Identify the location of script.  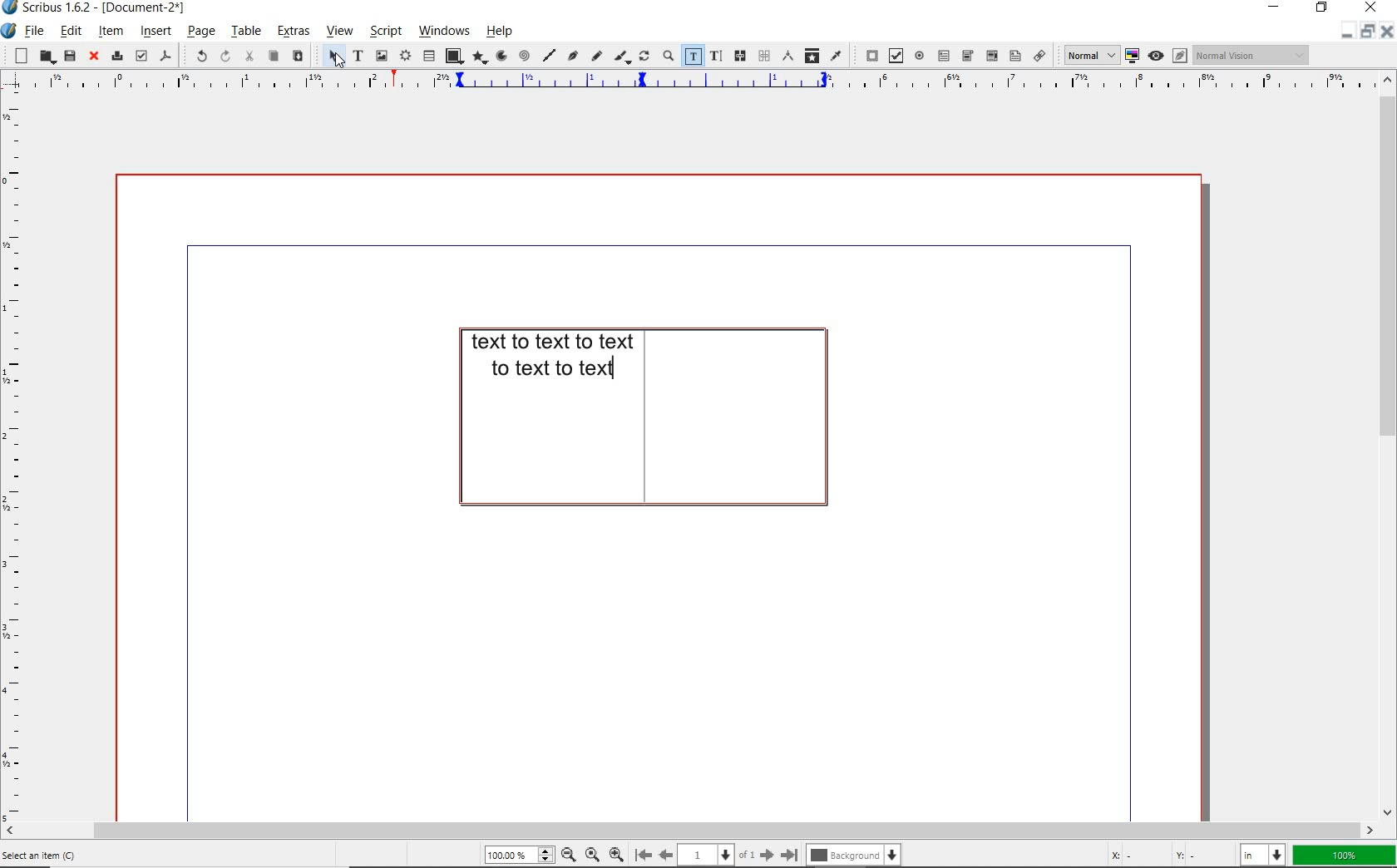
(383, 31).